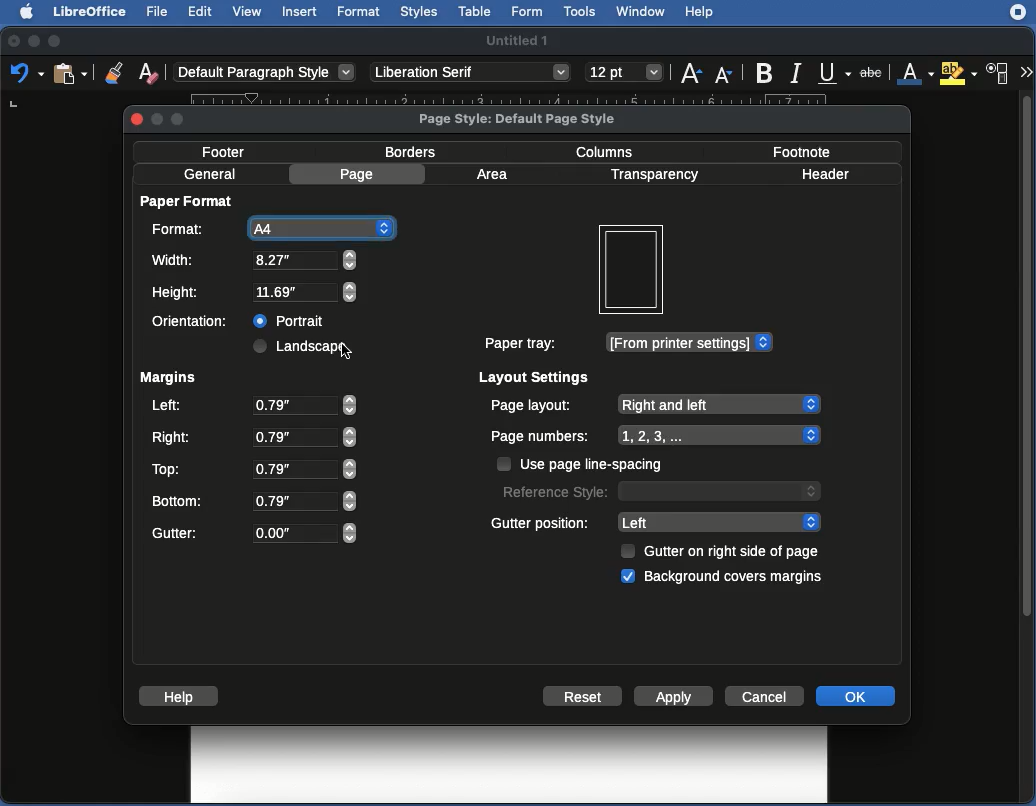 This screenshot has width=1036, height=806. Describe the element at coordinates (623, 72) in the screenshot. I see `size` at that location.